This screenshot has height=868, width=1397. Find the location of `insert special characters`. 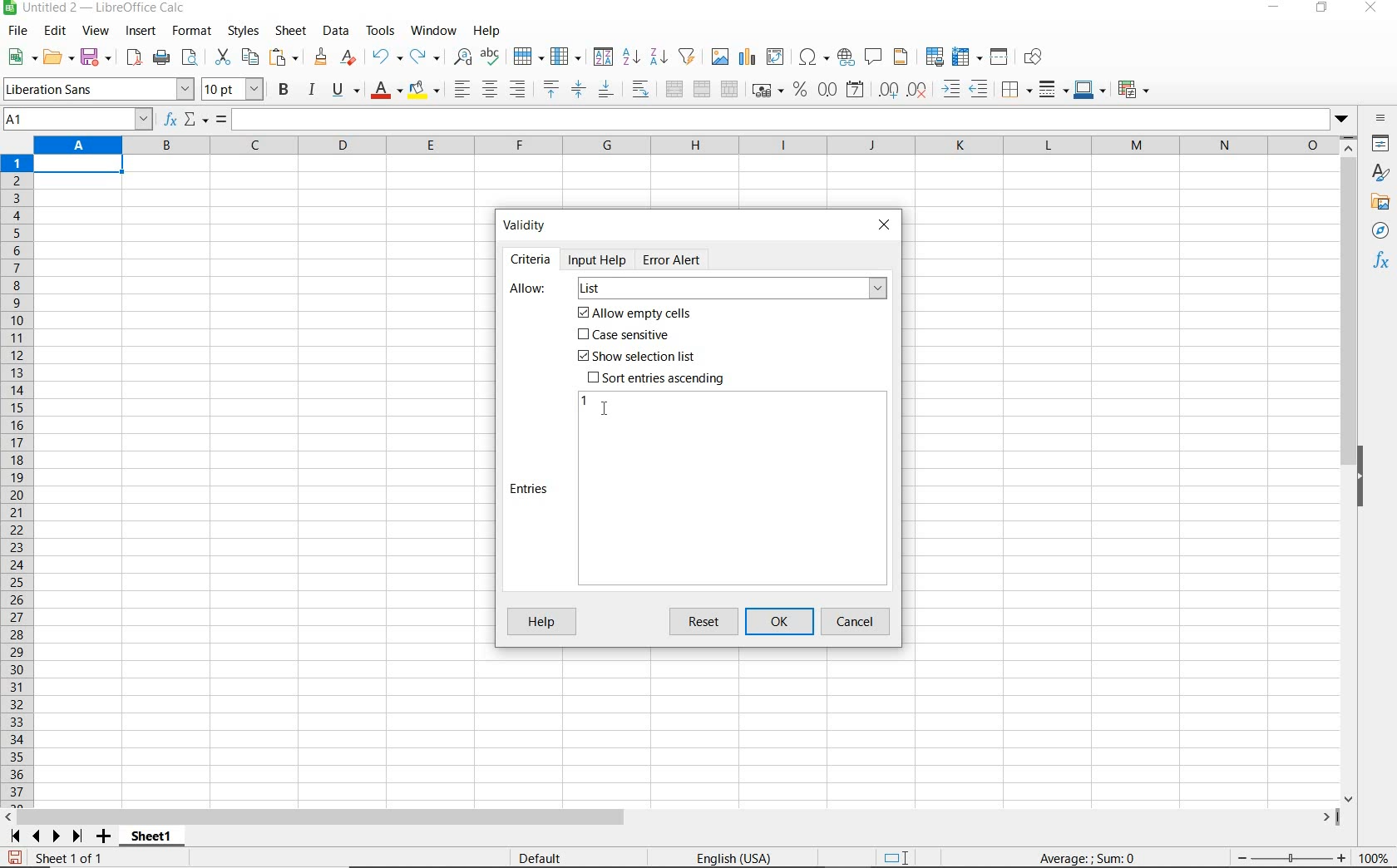

insert special characters is located at coordinates (814, 57).